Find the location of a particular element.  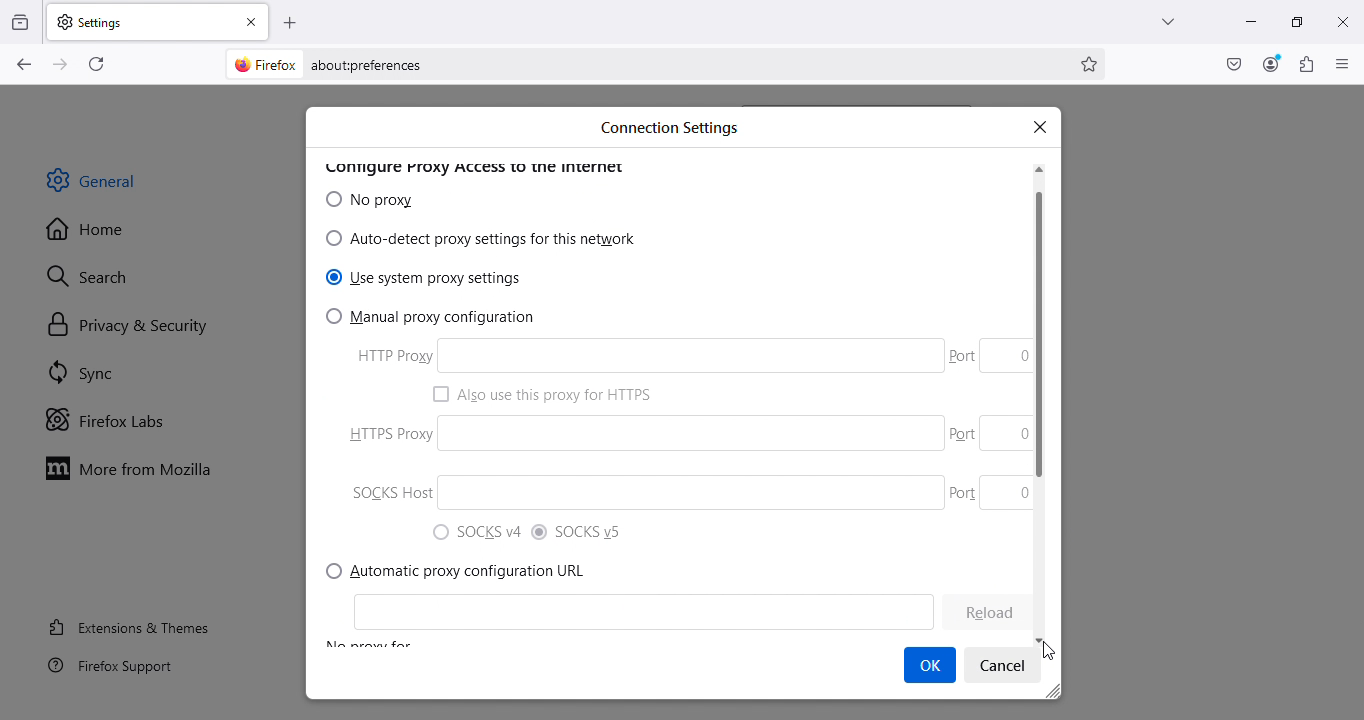

Cleon 0 is located at coordinates (978, 352).